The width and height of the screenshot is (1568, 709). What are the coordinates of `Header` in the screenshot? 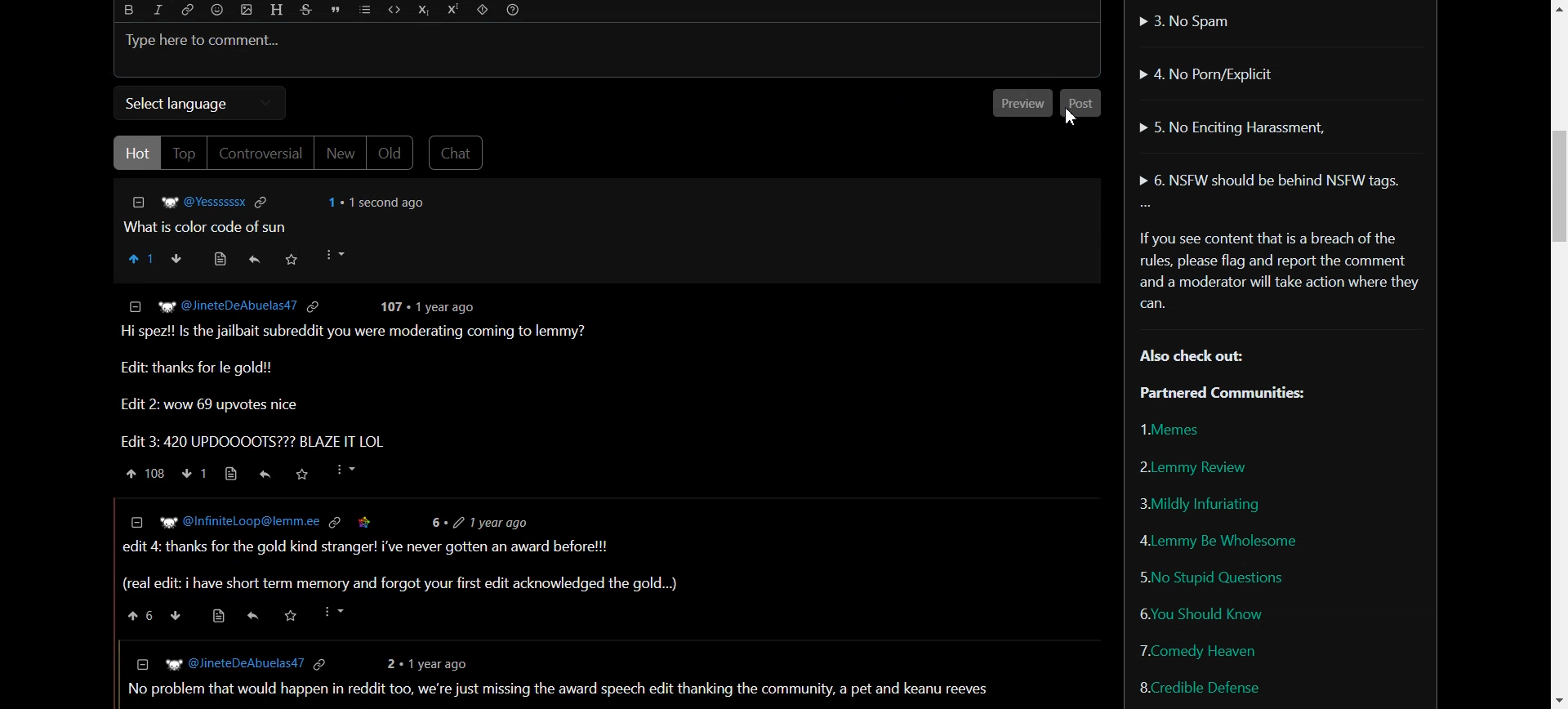 It's located at (276, 10).